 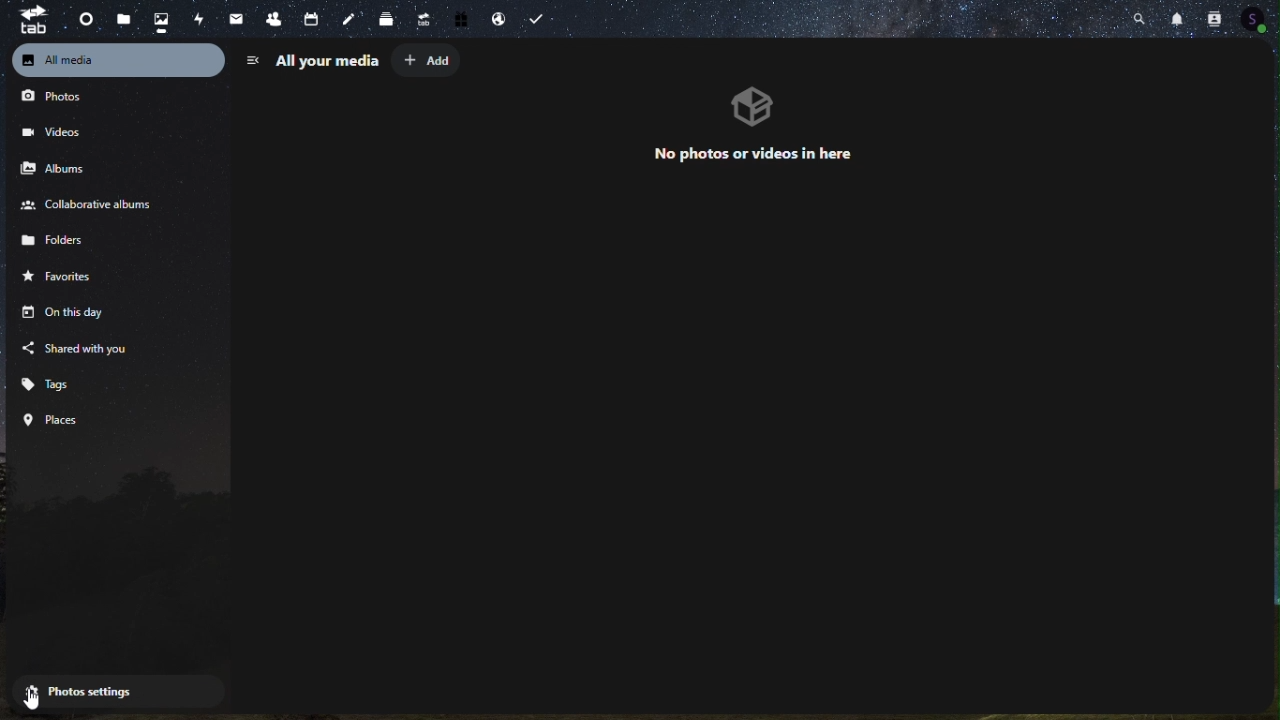 What do you see at coordinates (63, 168) in the screenshot?
I see `Albums ` at bounding box center [63, 168].